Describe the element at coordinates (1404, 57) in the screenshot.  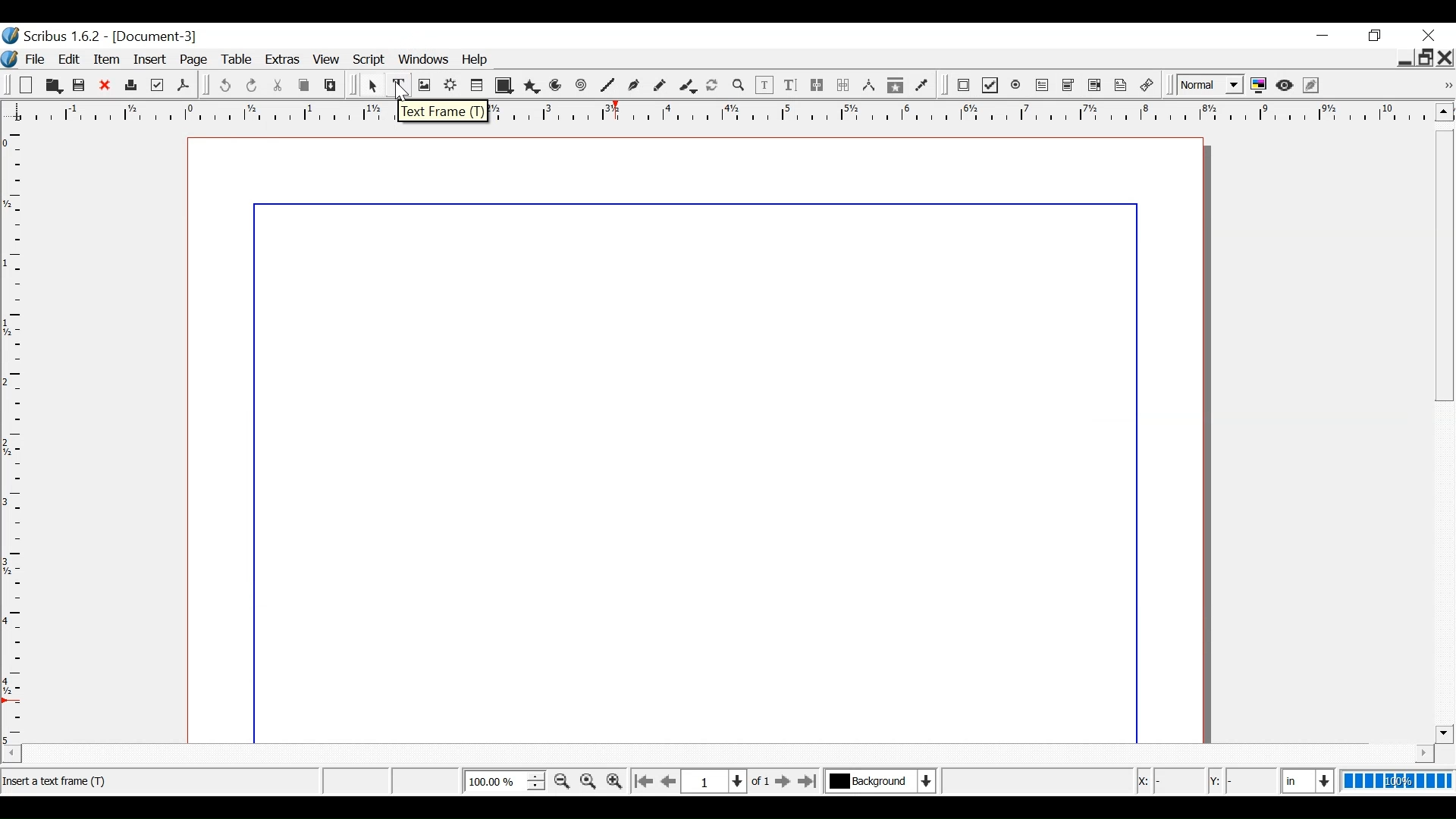
I see `minimie` at that location.